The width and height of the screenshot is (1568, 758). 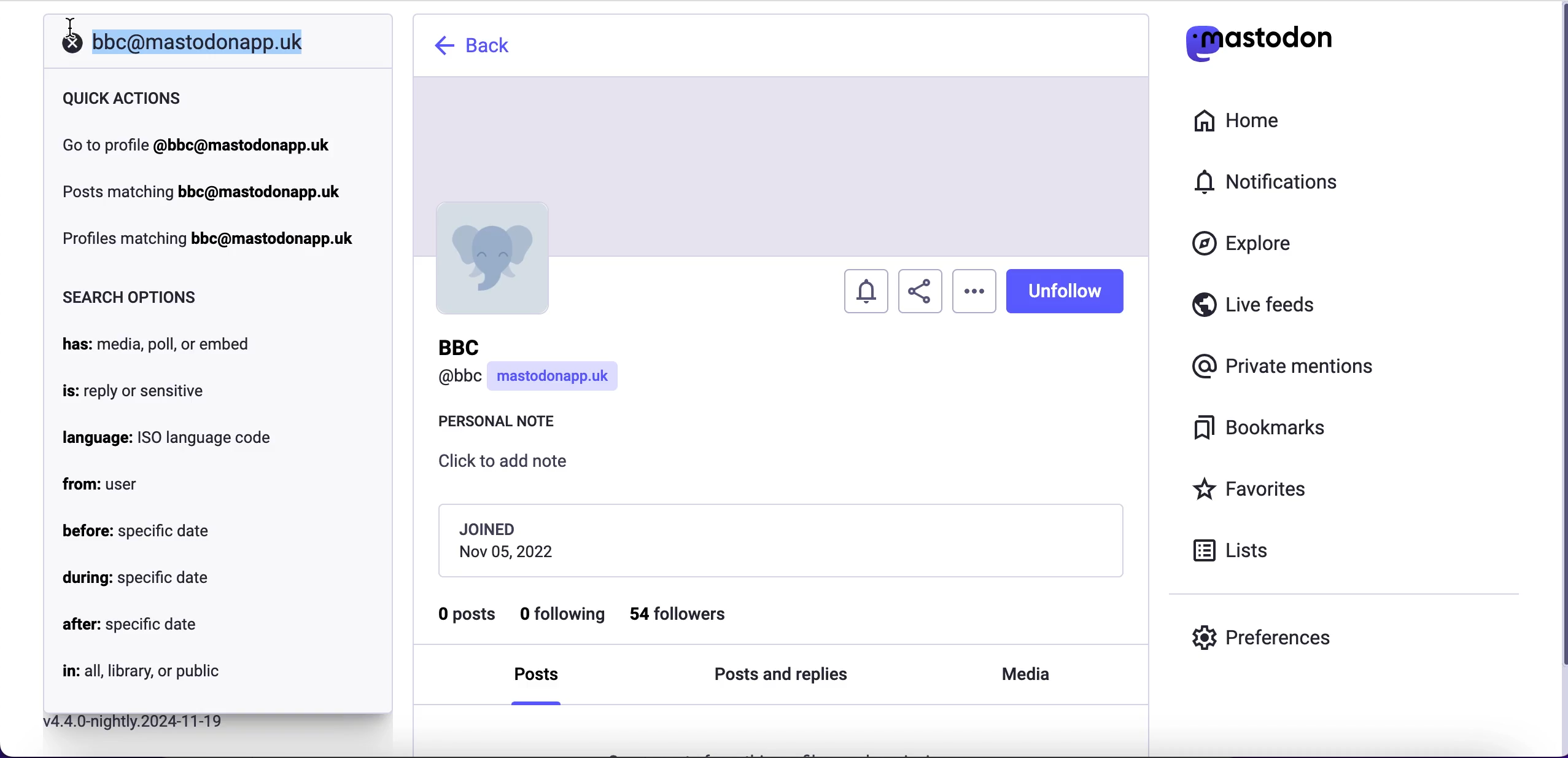 I want to click on posts and replies, so click(x=780, y=676).